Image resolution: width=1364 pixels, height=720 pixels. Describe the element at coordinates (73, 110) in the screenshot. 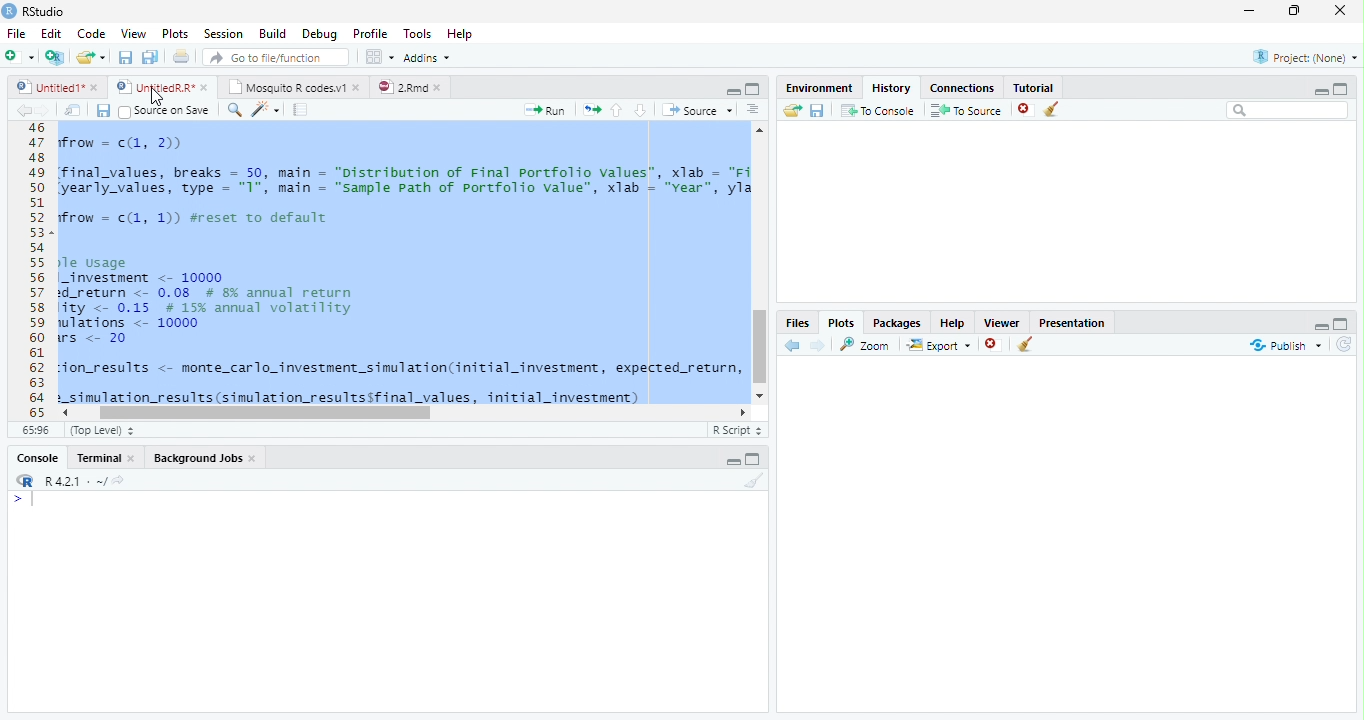

I see `Open in new window` at that location.